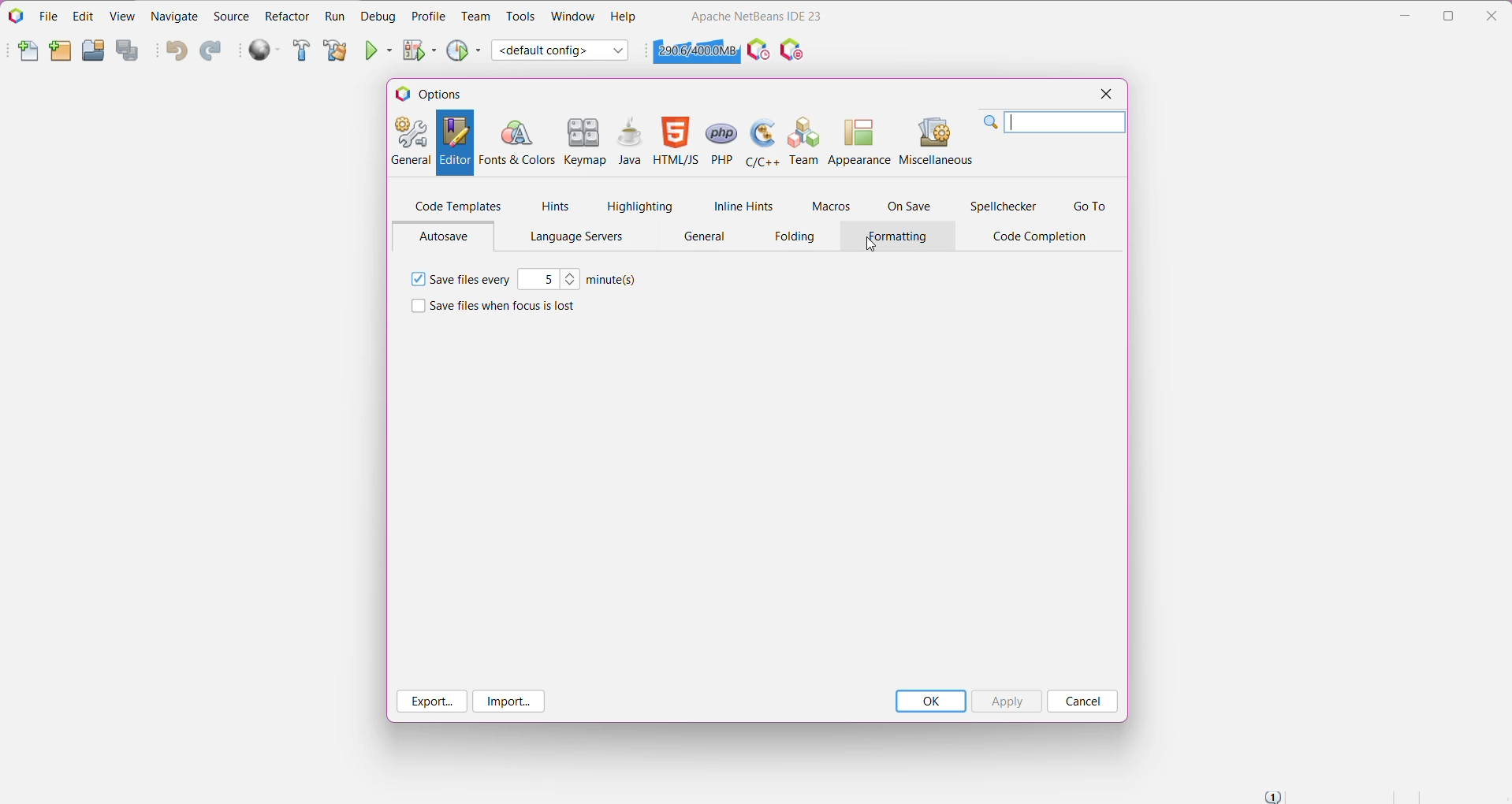 The width and height of the screenshot is (1512, 804). Describe the element at coordinates (937, 140) in the screenshot. I see `Miscellaneous` at that location.